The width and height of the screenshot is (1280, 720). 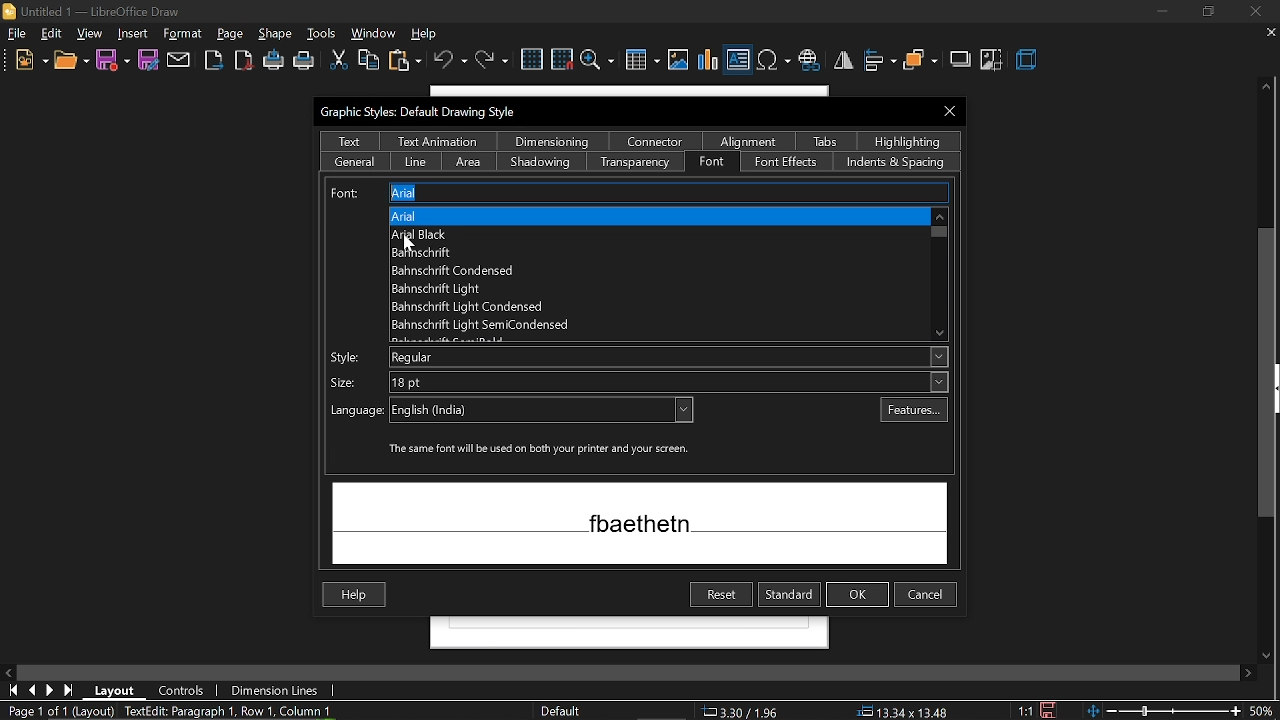 I want to click on Move down, so click(x=1269, y=655).